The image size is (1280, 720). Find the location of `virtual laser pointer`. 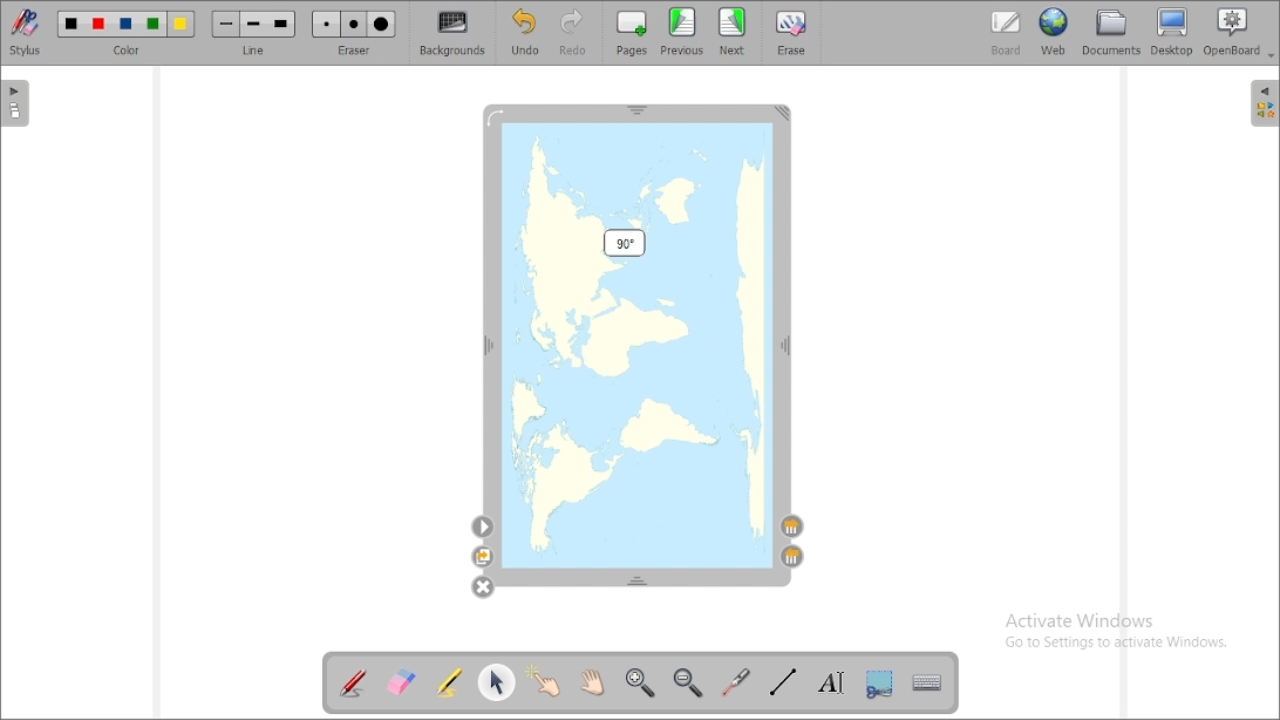

virtual laser pointer is located at coordinates (737, 683).